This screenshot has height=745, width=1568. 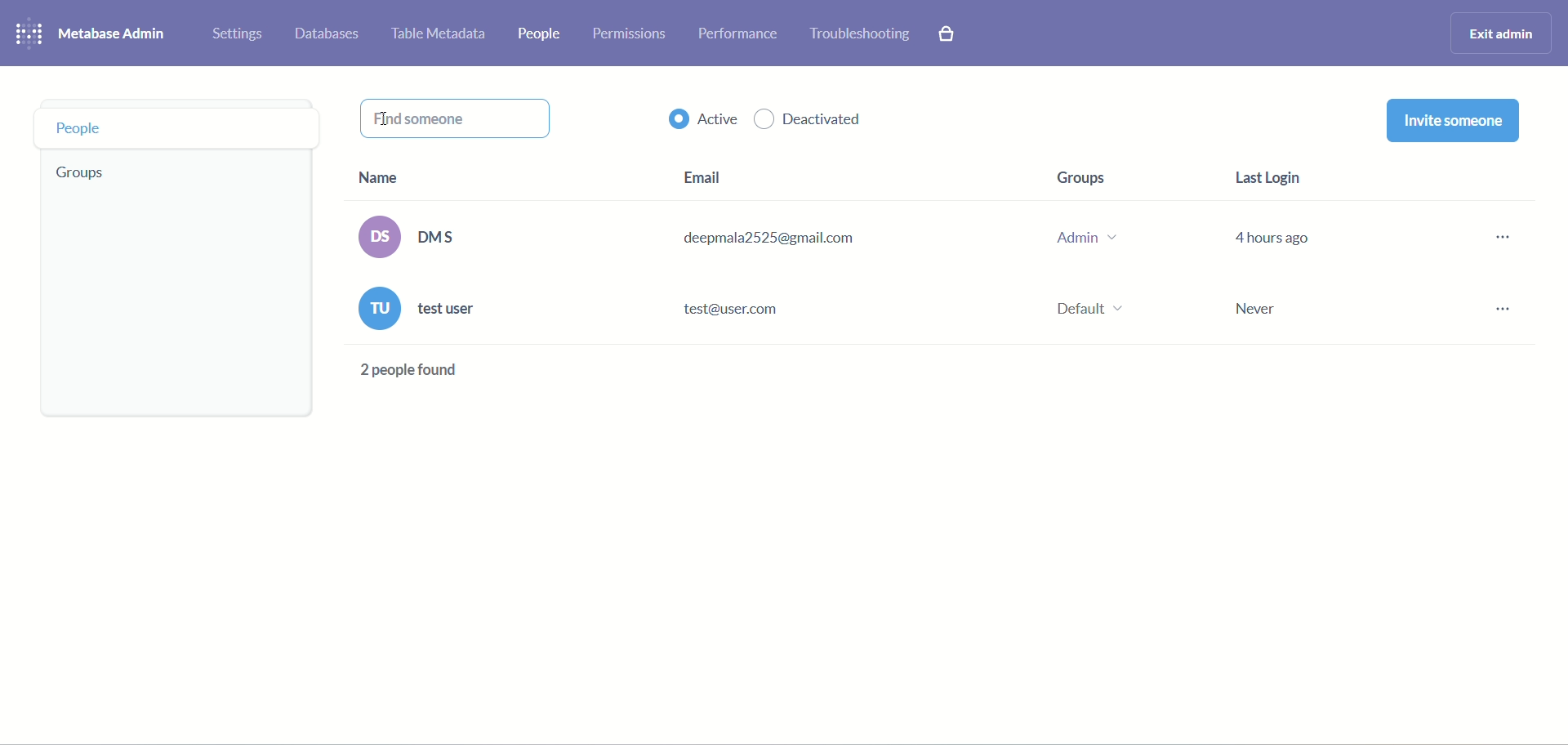 I want to click on groups, so click(x=1086, y=259).